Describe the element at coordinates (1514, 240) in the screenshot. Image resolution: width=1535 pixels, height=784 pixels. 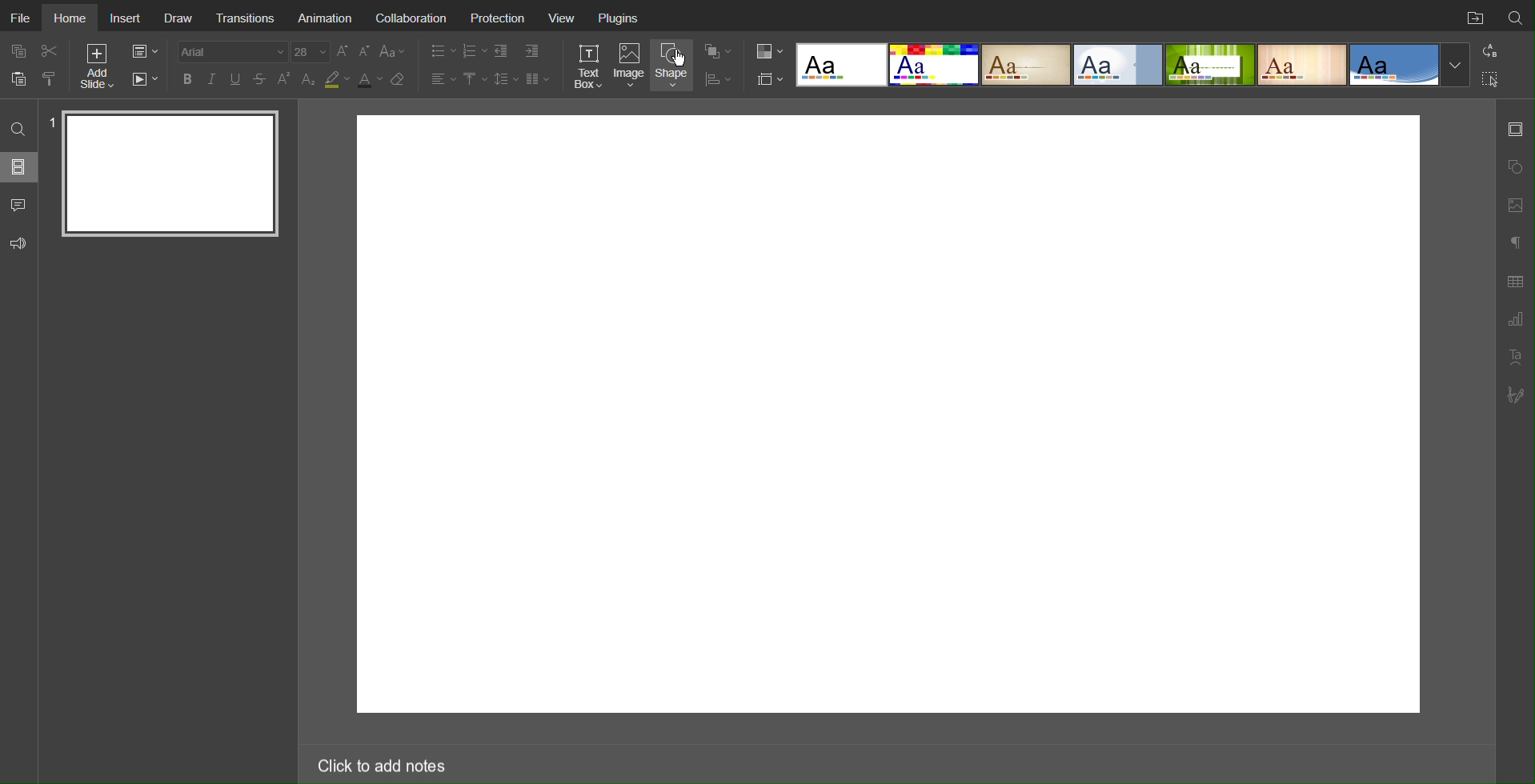
I see `Paragraph Settings` at that location.